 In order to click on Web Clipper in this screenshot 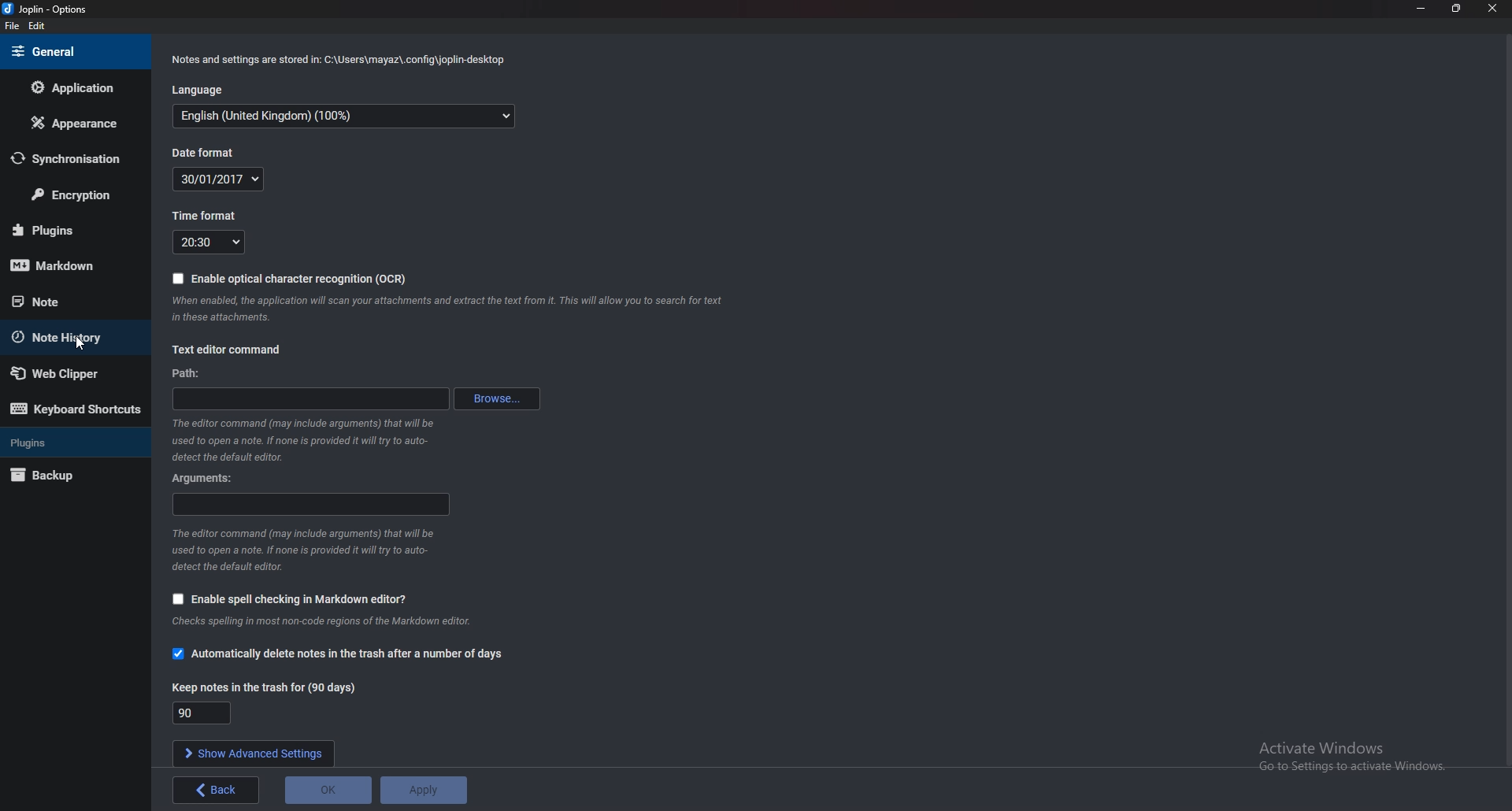, I will do `click(68, 373)`.